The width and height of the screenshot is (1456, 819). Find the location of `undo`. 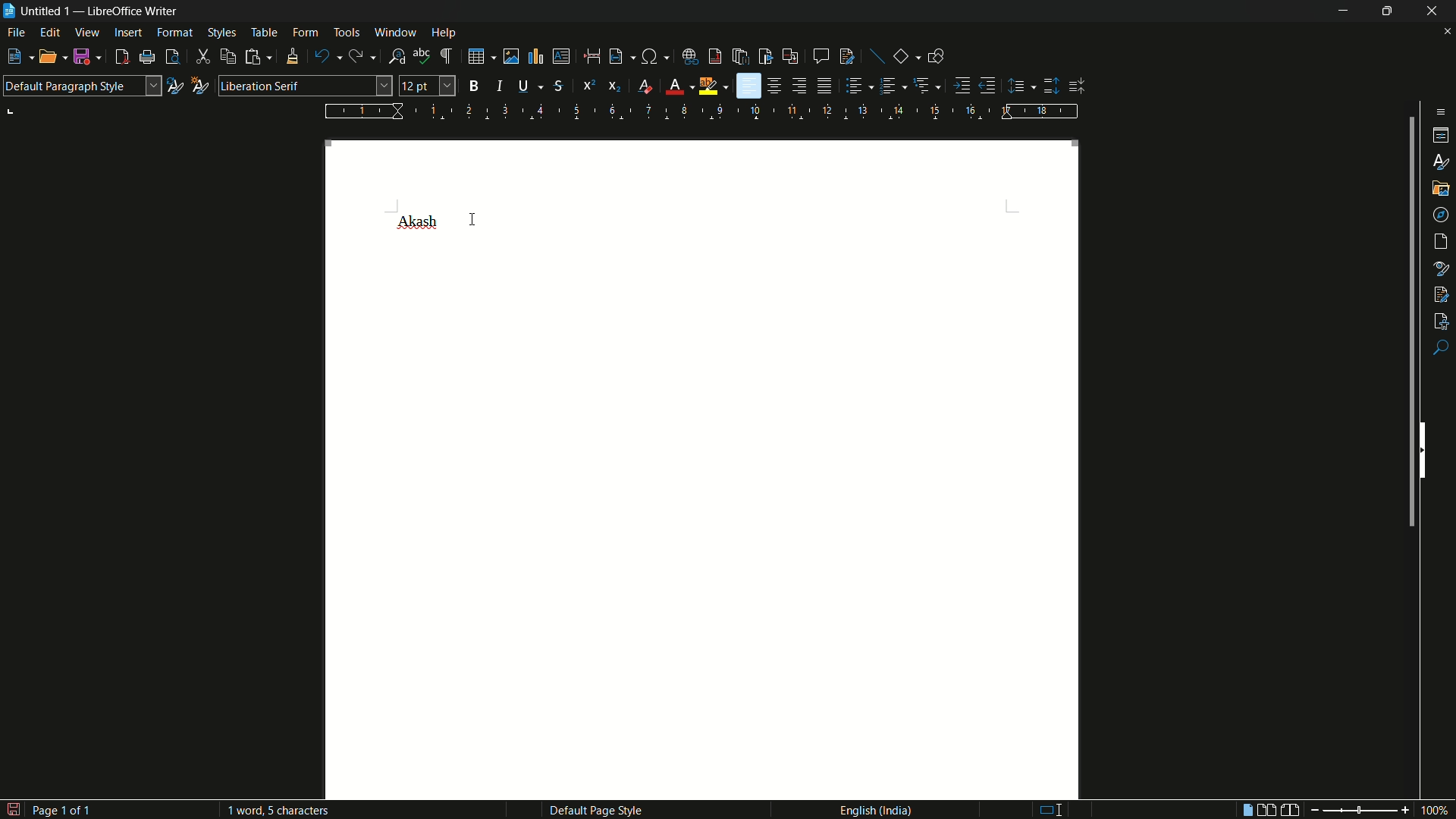

undo is located at coordinates (322, 57).